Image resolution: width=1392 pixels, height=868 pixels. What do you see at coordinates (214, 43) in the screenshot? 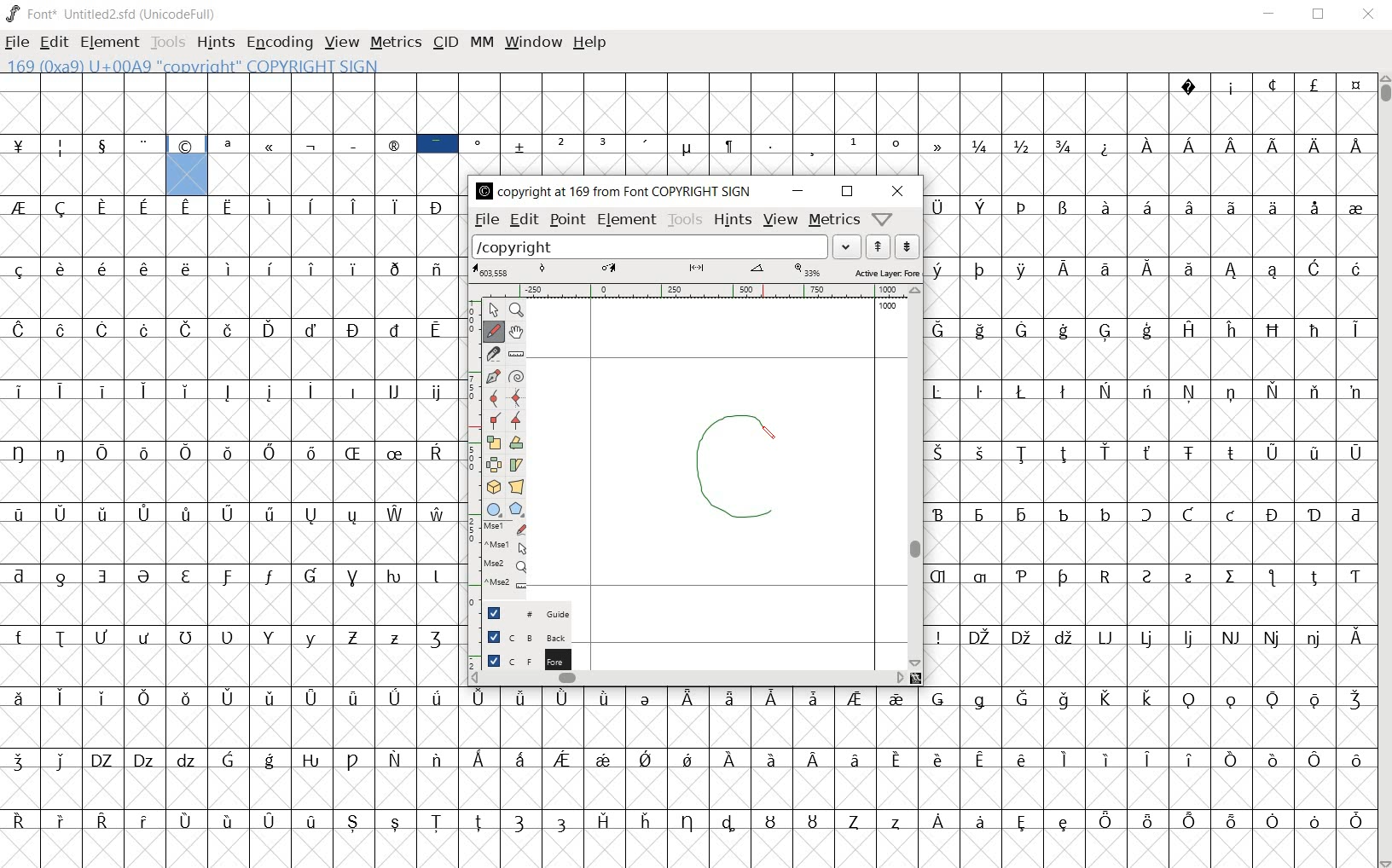
I see `hints` at bounding box center [214, 43].